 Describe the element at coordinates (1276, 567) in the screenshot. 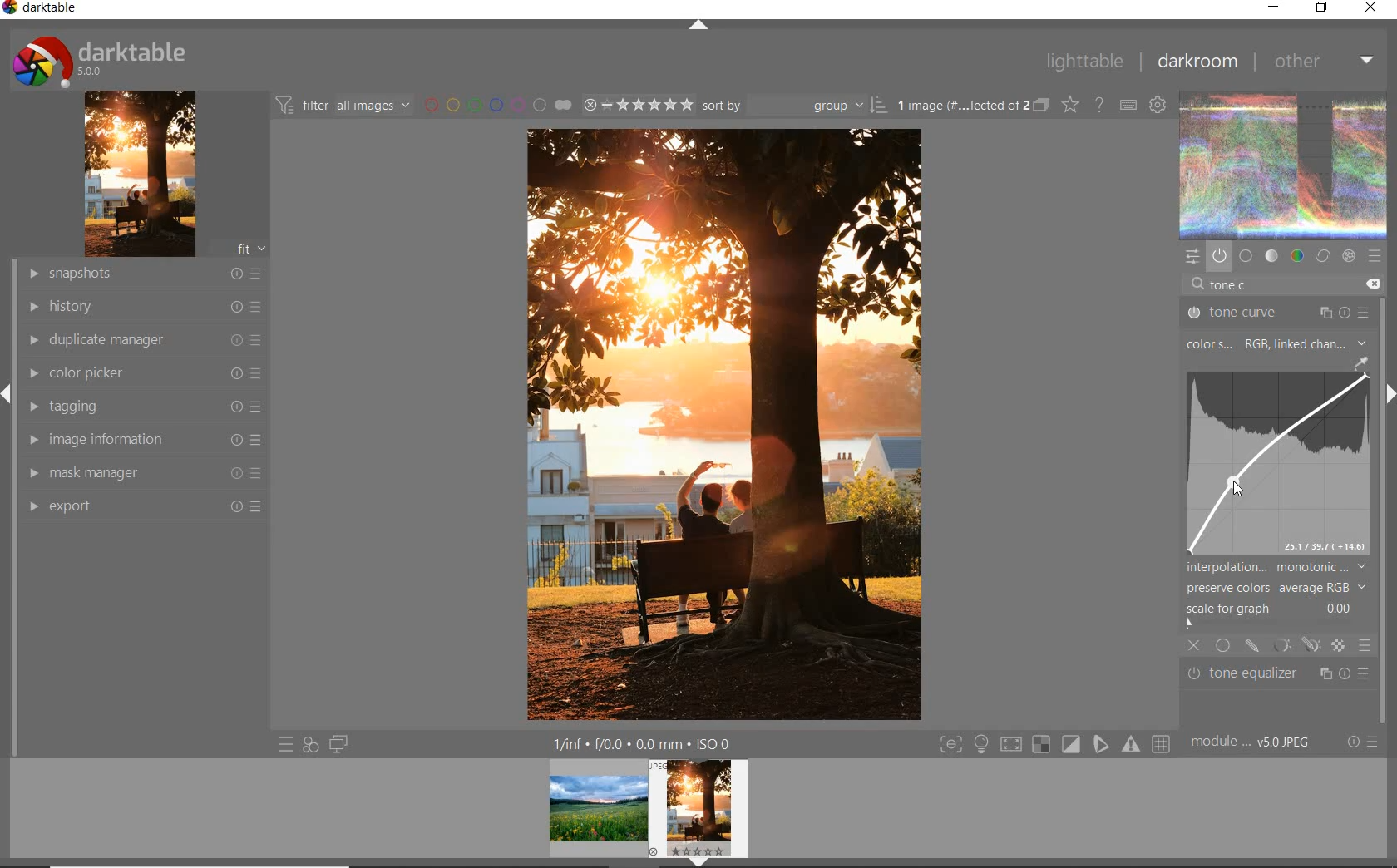

I see `interpolation` at that location.